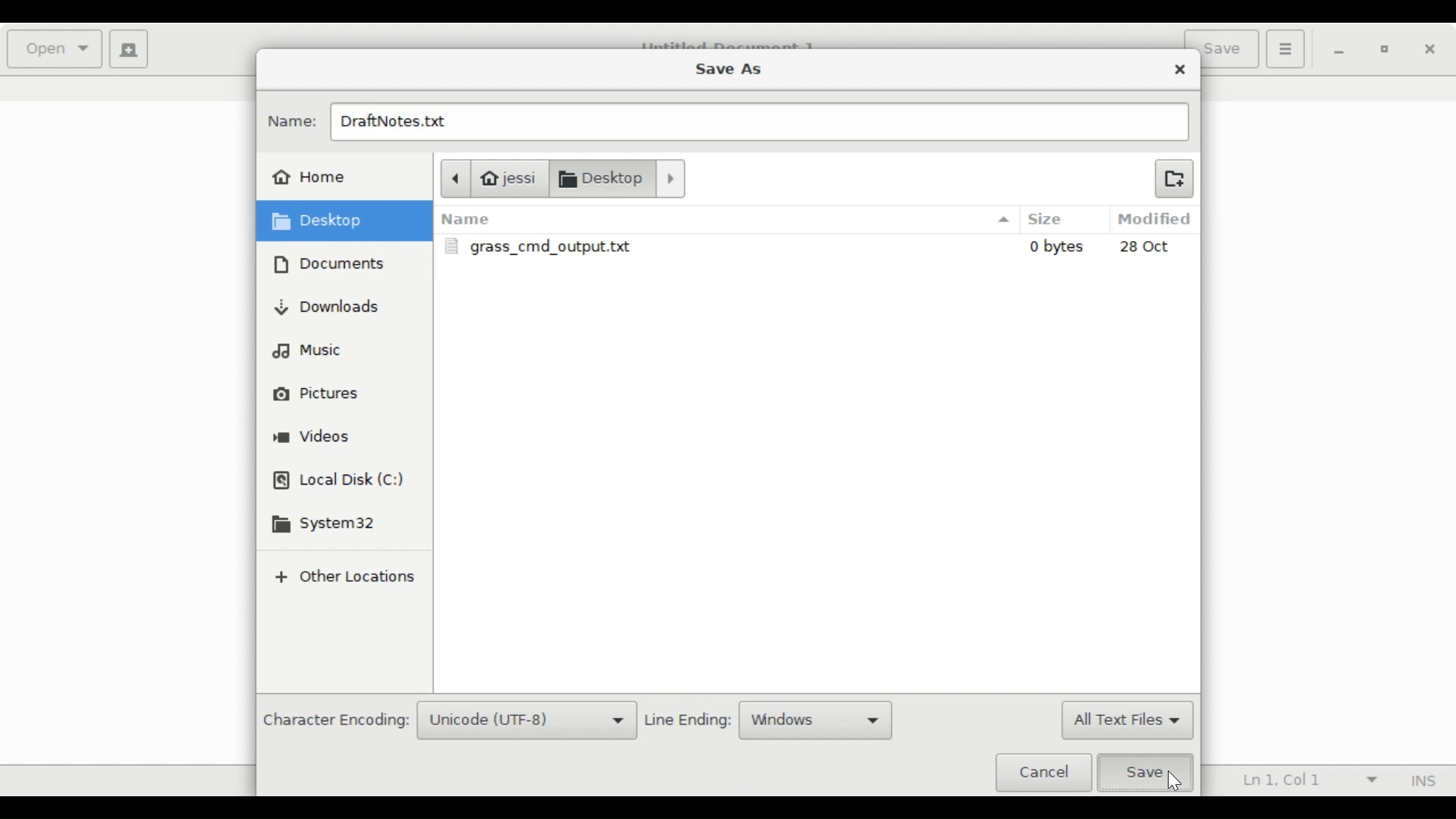  What do you see at coordinates (726, 219) in the screenshot?
I see `Name` at bounding box center [726, 219].